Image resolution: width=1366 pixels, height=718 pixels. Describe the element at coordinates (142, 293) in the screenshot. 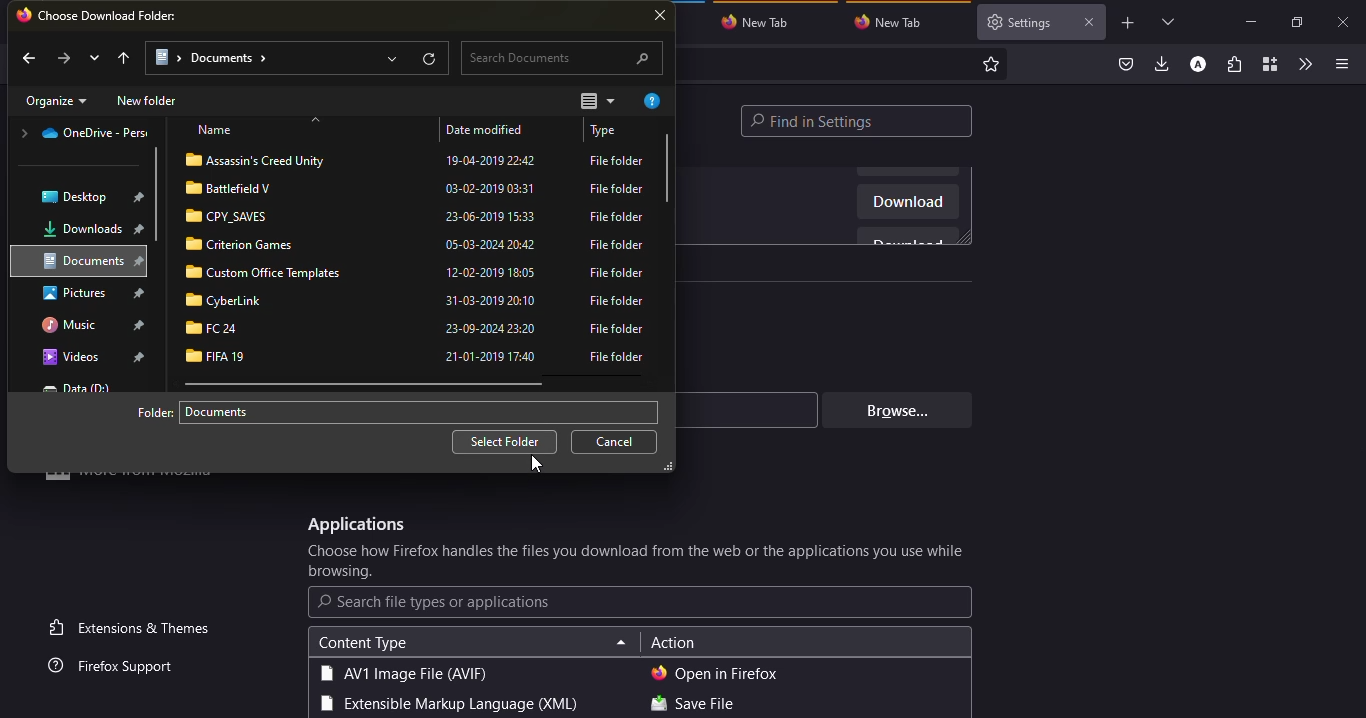

I see `pin` at that location.